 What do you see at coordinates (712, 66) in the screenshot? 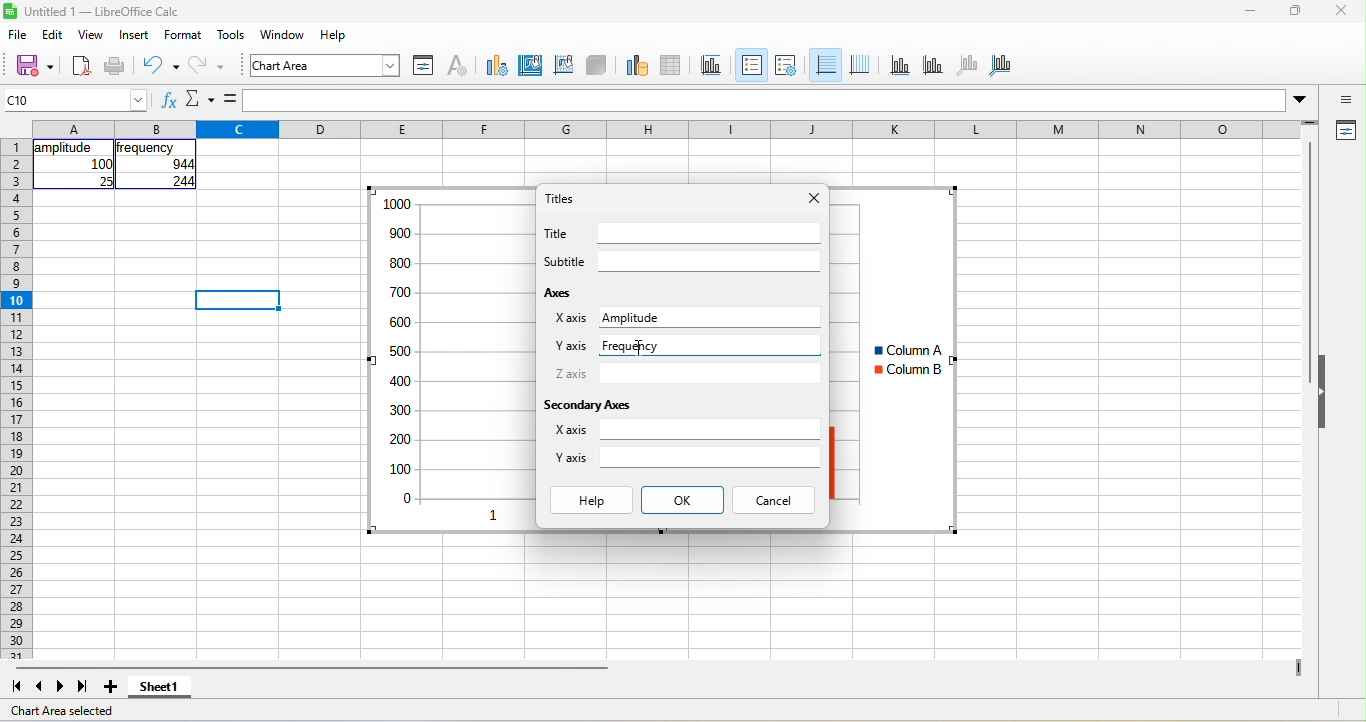
I see `titles` at bounding box center [712, 66].